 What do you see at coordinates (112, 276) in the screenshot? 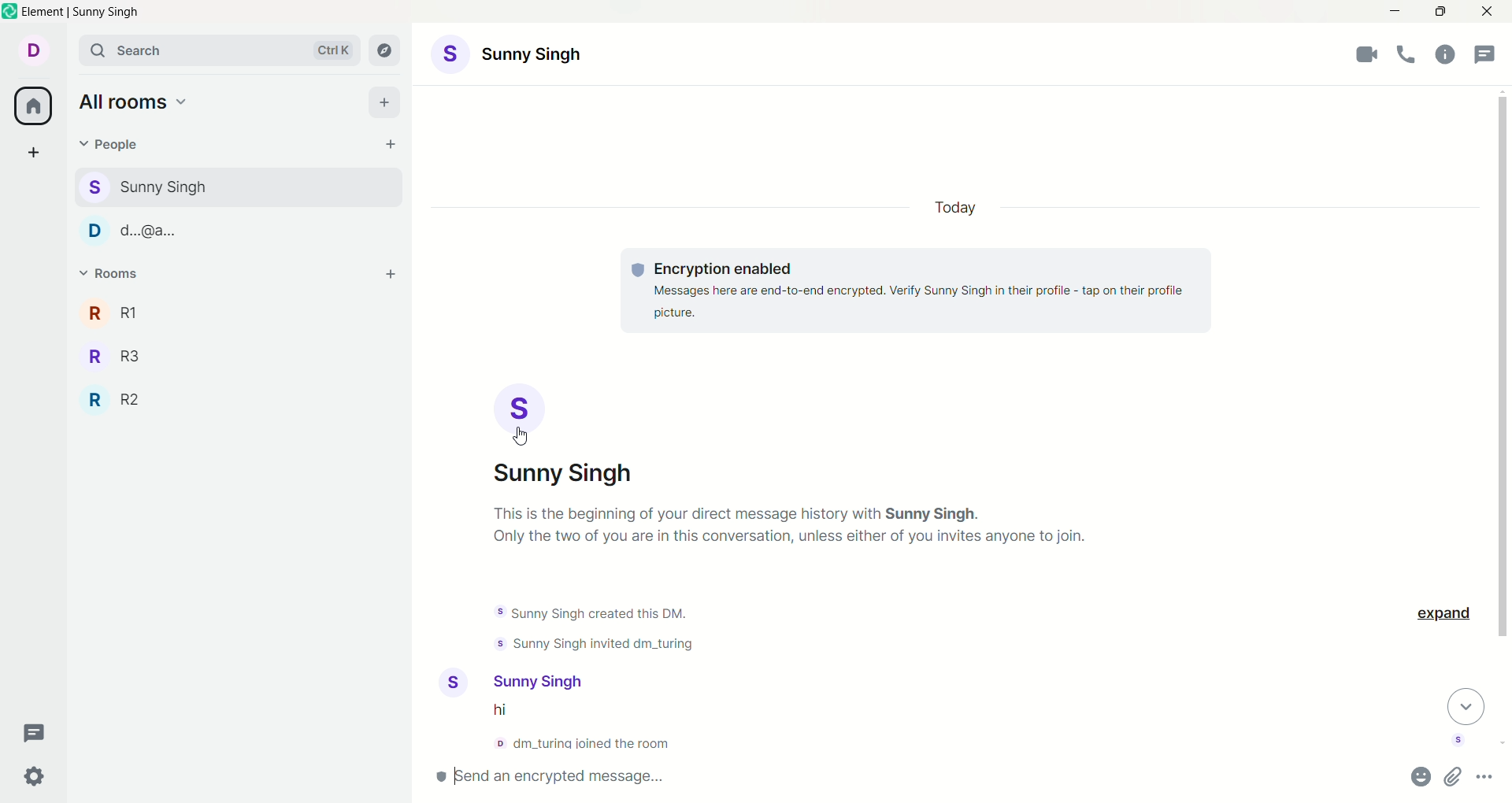
I see `rooms` at bounding box center [112, 276].